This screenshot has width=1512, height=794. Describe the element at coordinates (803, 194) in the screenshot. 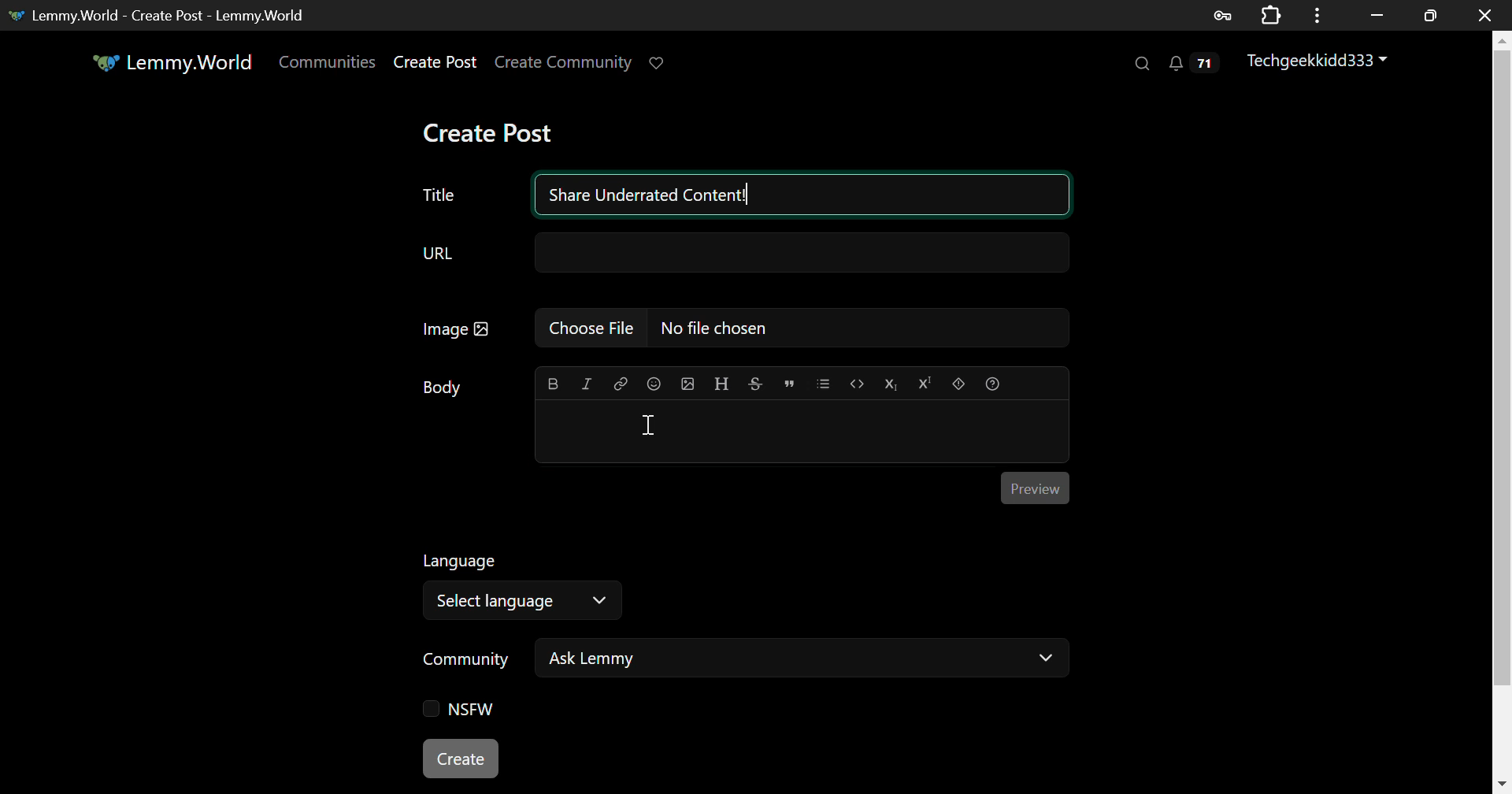

I see `Share Underrated Content` at that location.